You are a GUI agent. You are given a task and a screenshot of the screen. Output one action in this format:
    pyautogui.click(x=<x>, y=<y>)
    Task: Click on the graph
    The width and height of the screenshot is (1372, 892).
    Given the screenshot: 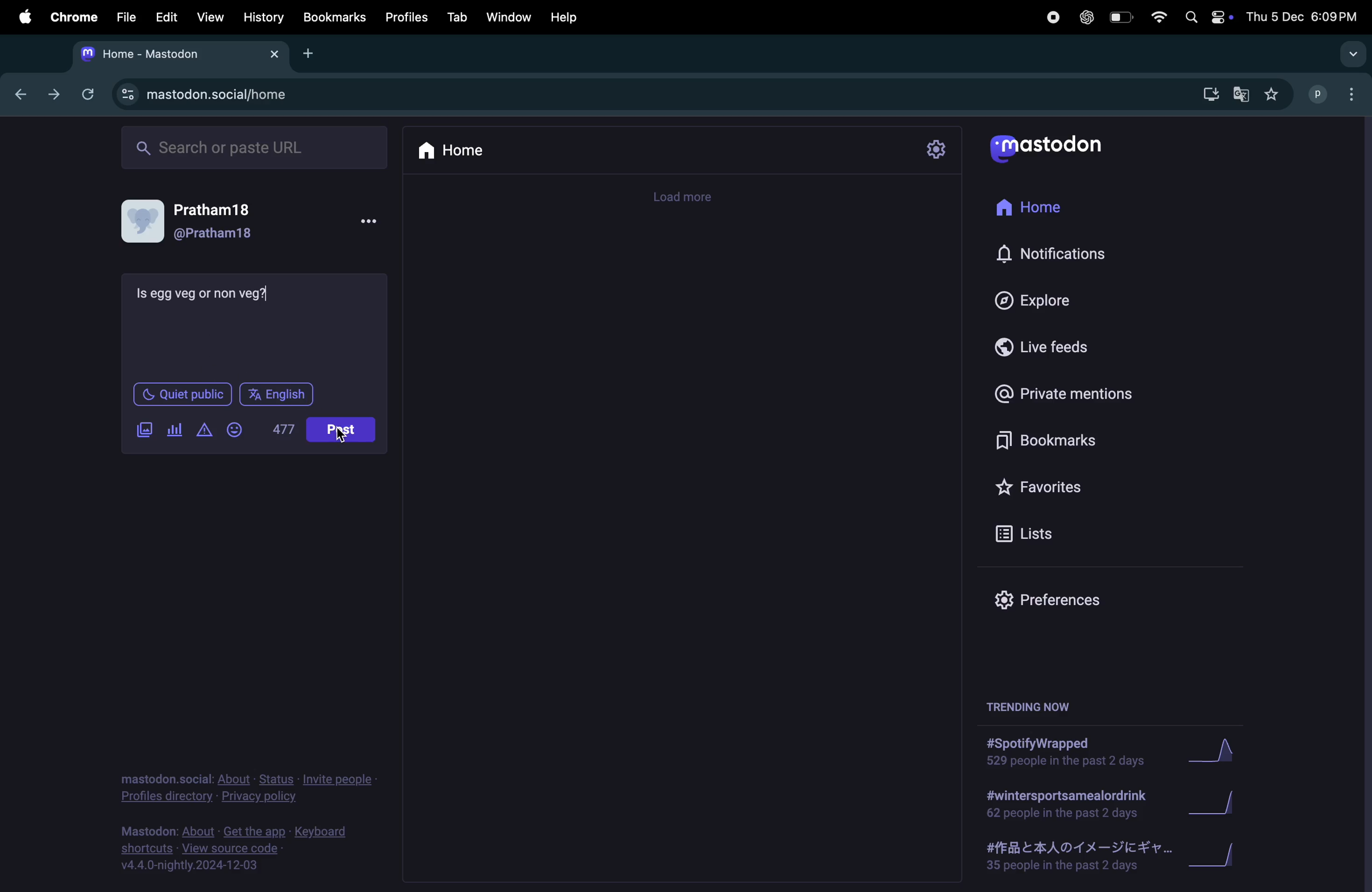 What is the action you would take?
    pyautogui.click(x=1213, y=755)
    